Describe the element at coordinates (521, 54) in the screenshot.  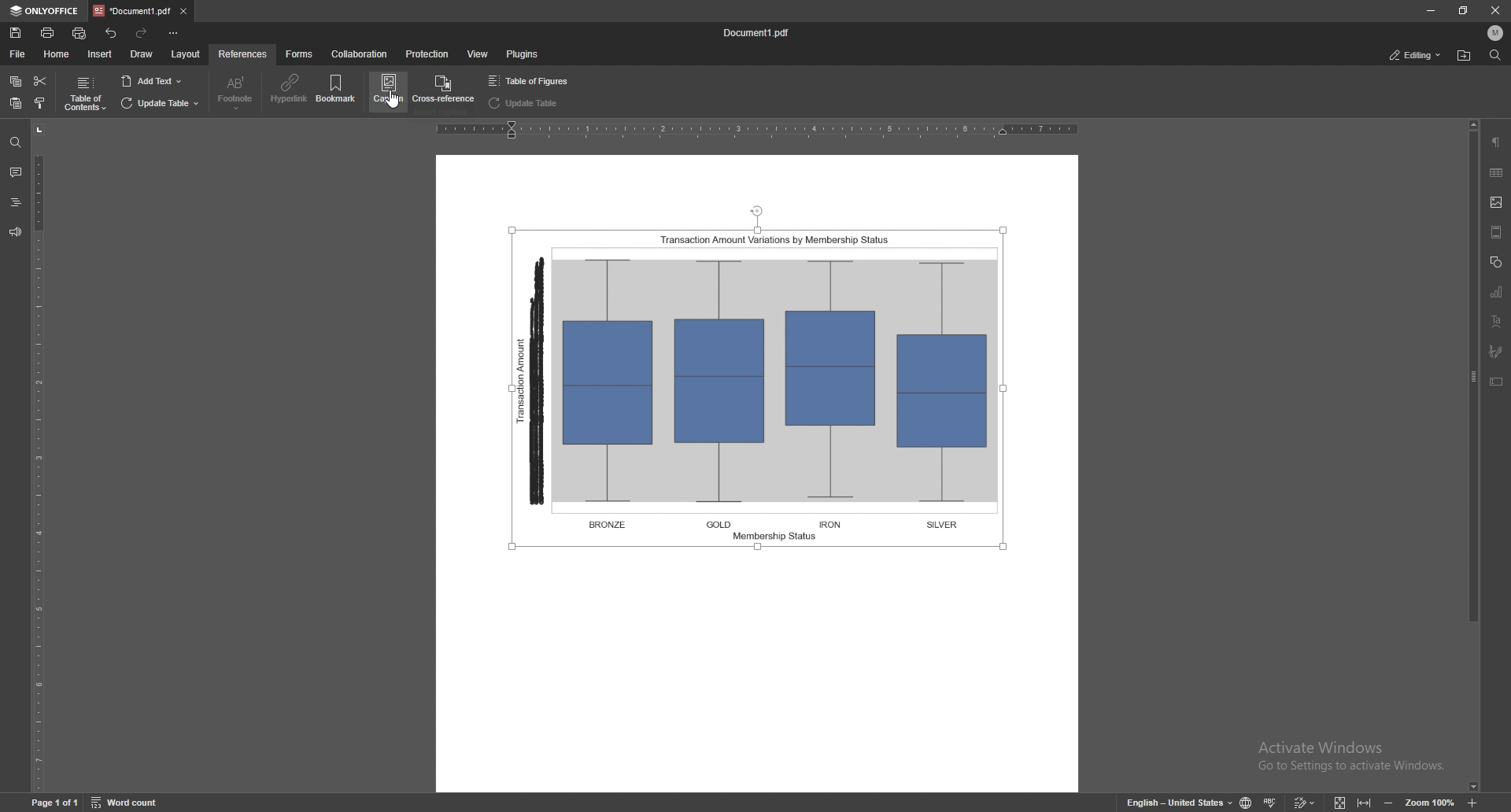
I see `plugins` at that location.